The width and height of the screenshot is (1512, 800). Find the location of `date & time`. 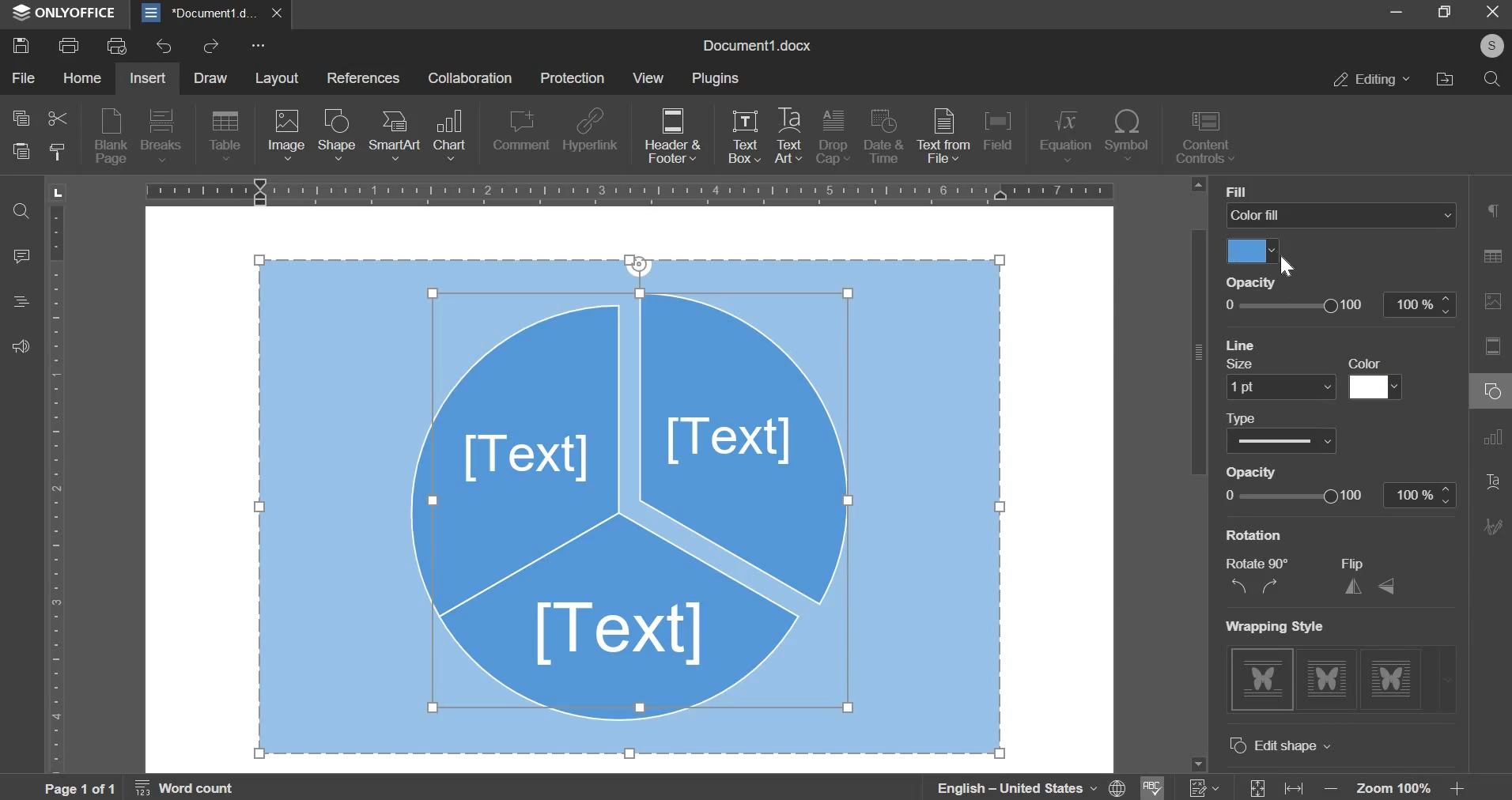

date & time is located at coordinates (883, 135).